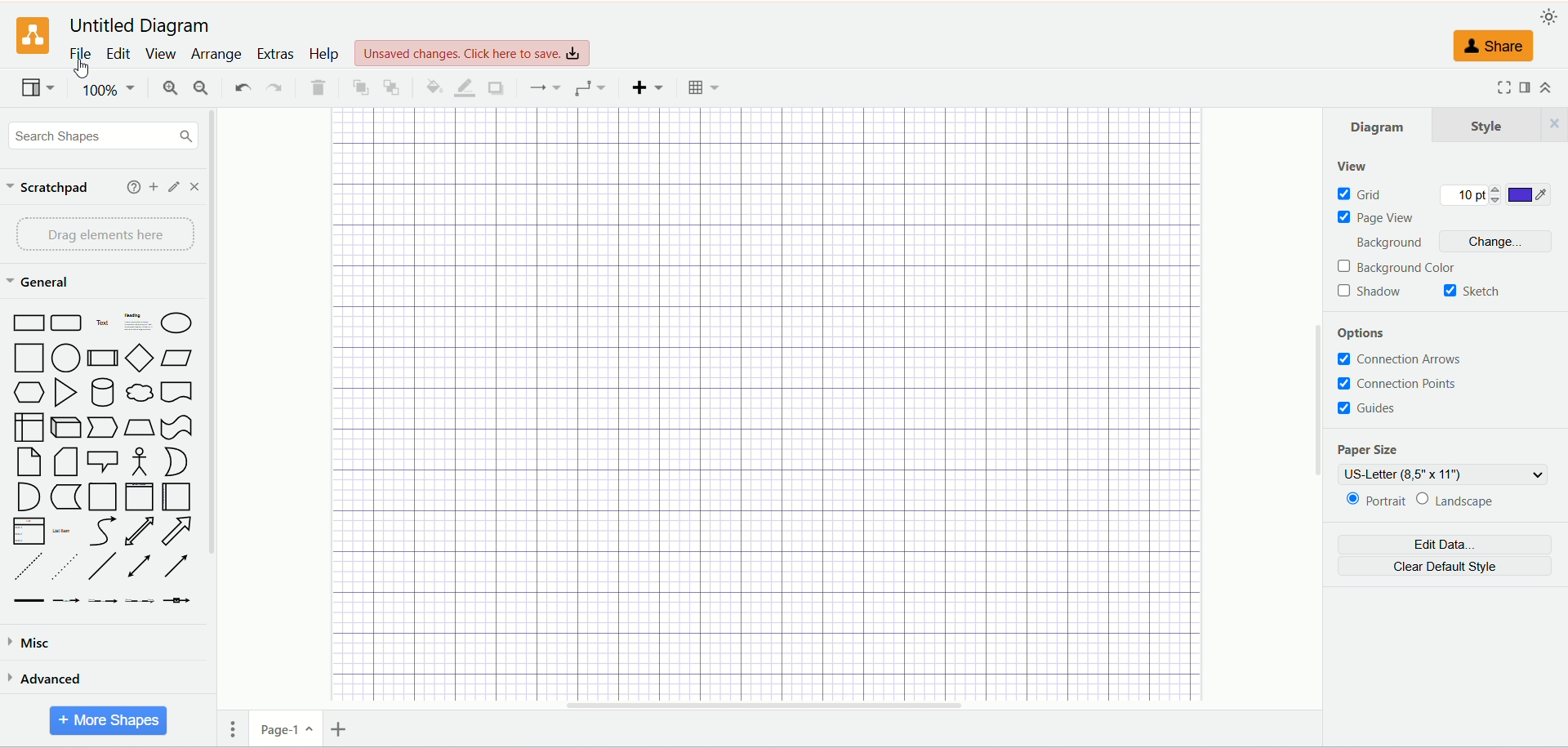 Image resolution: width=1568 pixels, height=748 pixels. Describe the element at coordinates (1380, 218) in the screenshot. I see `page view` at that location.